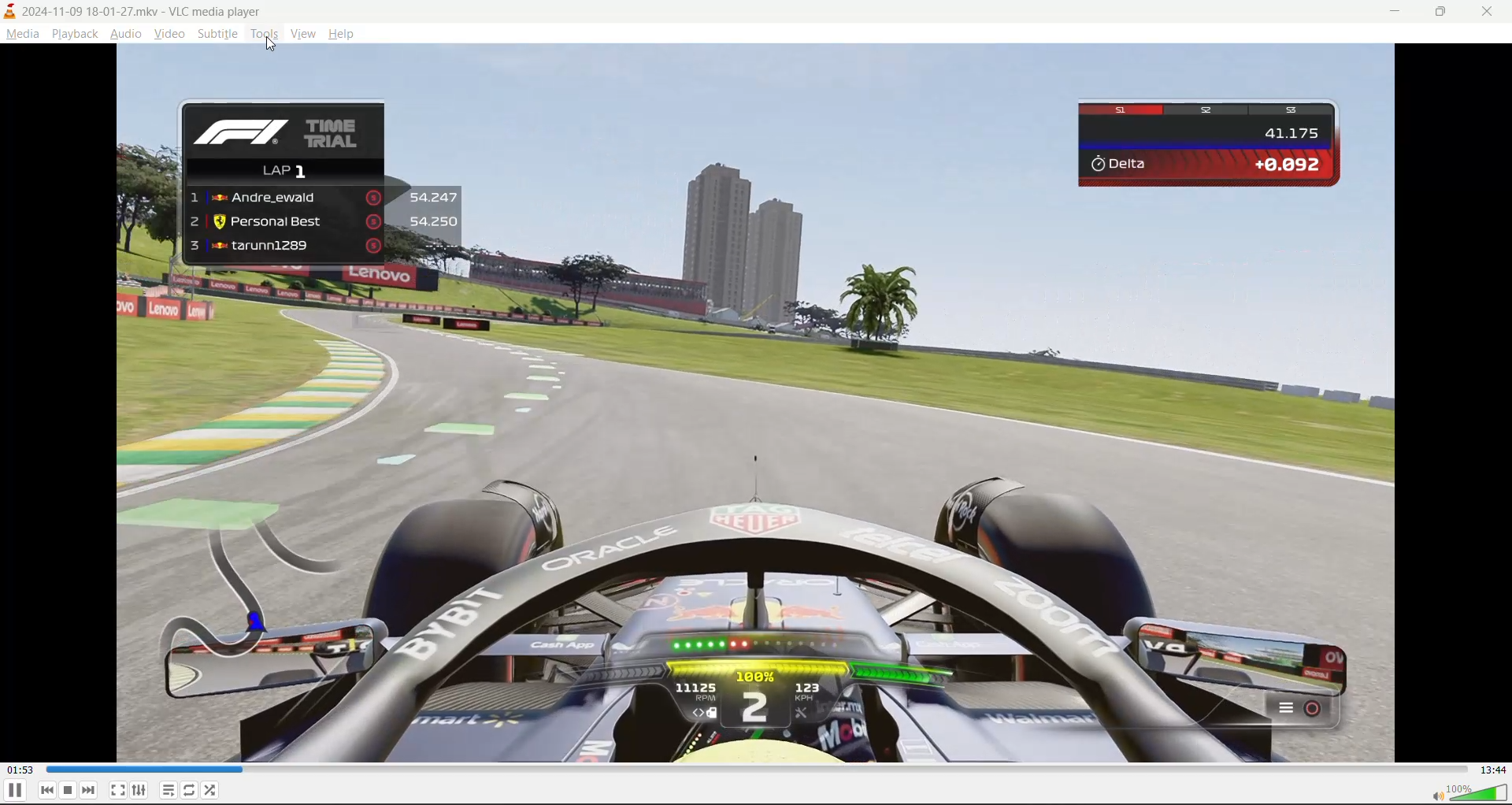 The width and height of the screenshot is (1512, 805). What do you see at coordinates (346, 37) in the screenshot?
I see `help` at bounding box center [346, 37].